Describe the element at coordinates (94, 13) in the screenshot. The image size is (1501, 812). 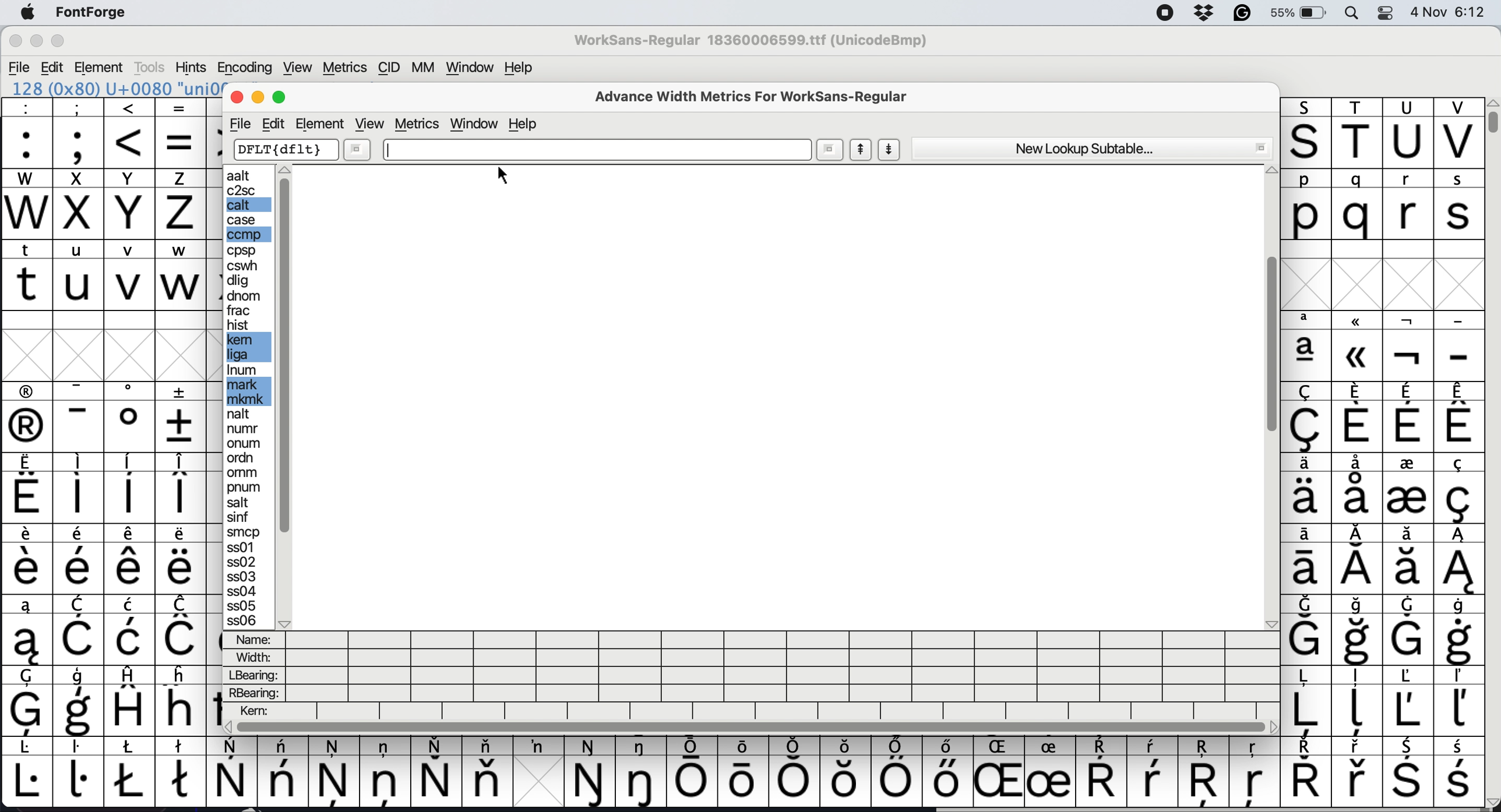
I see `FontForge` at that location.